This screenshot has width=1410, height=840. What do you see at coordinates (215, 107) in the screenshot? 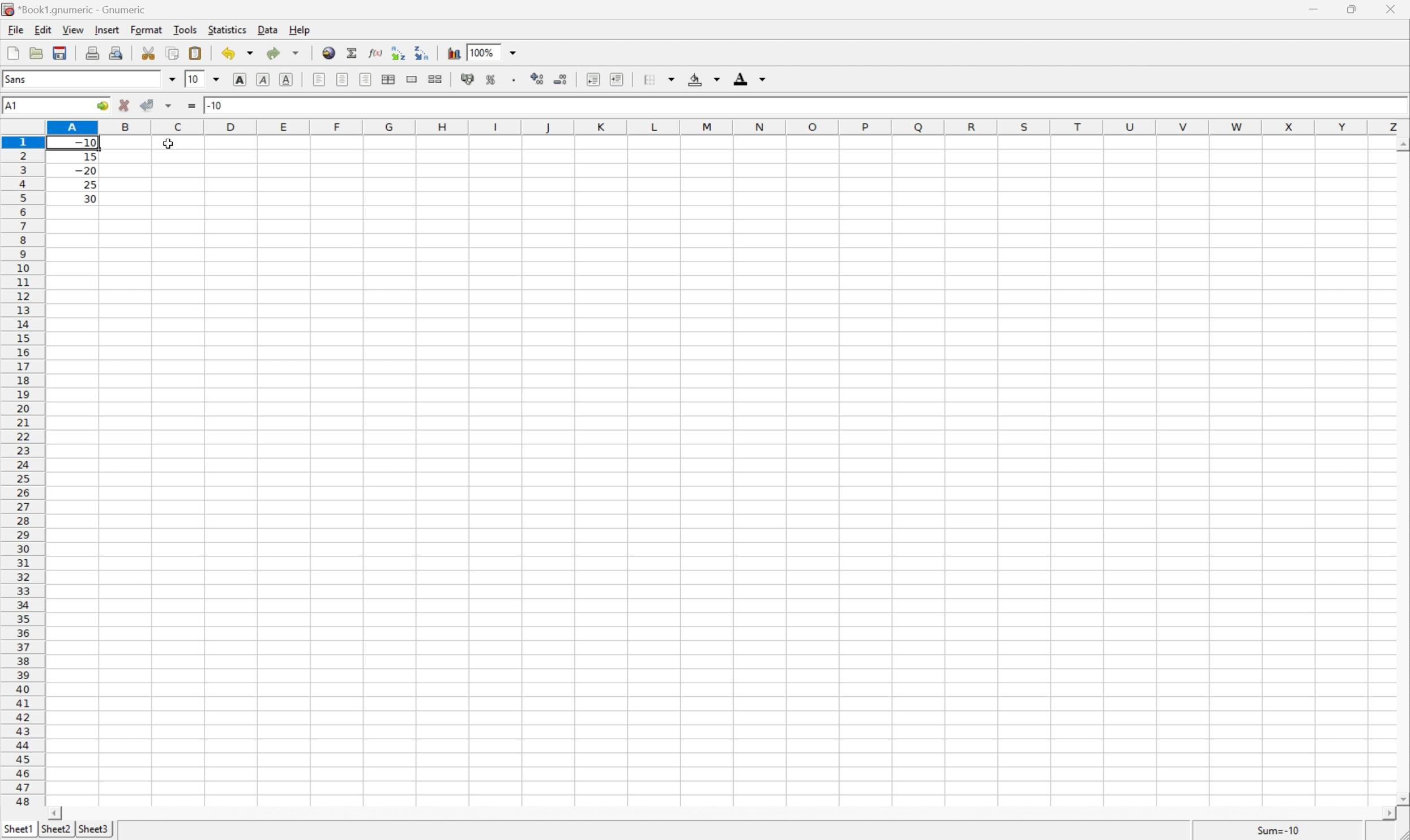
I see `-10` at bounding box center [215, 107].